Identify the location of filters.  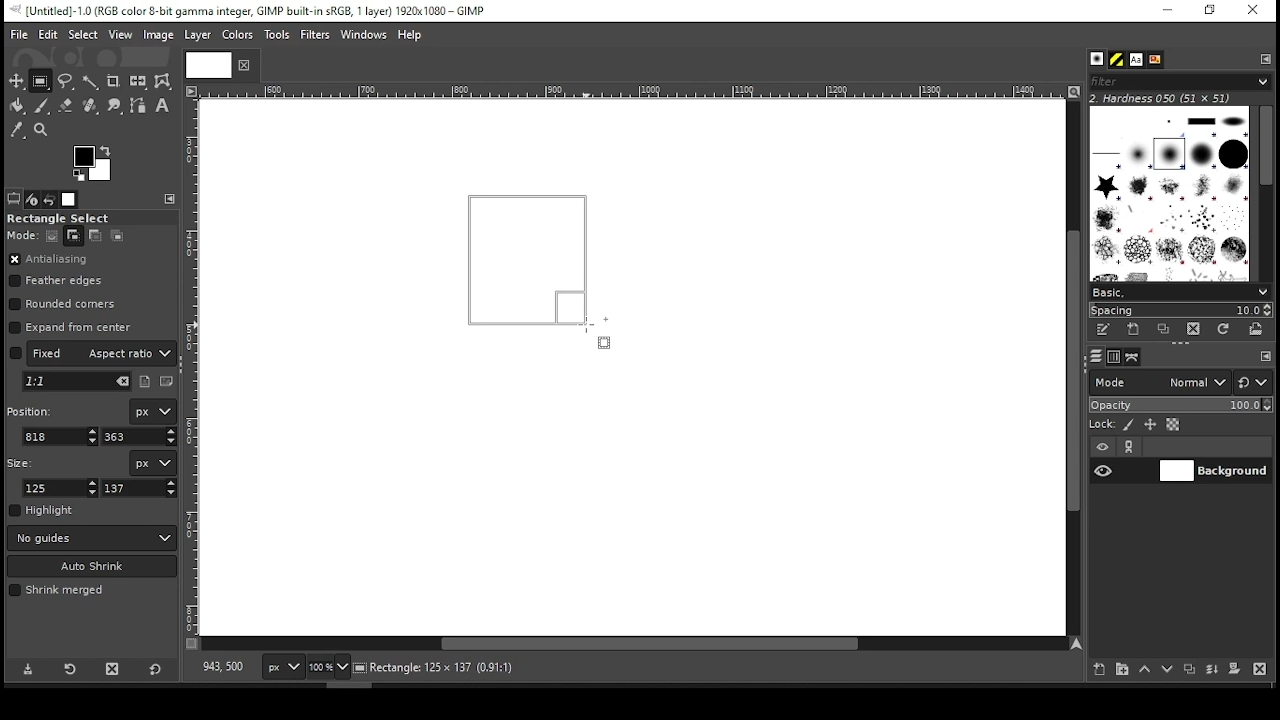
(1177, 82).